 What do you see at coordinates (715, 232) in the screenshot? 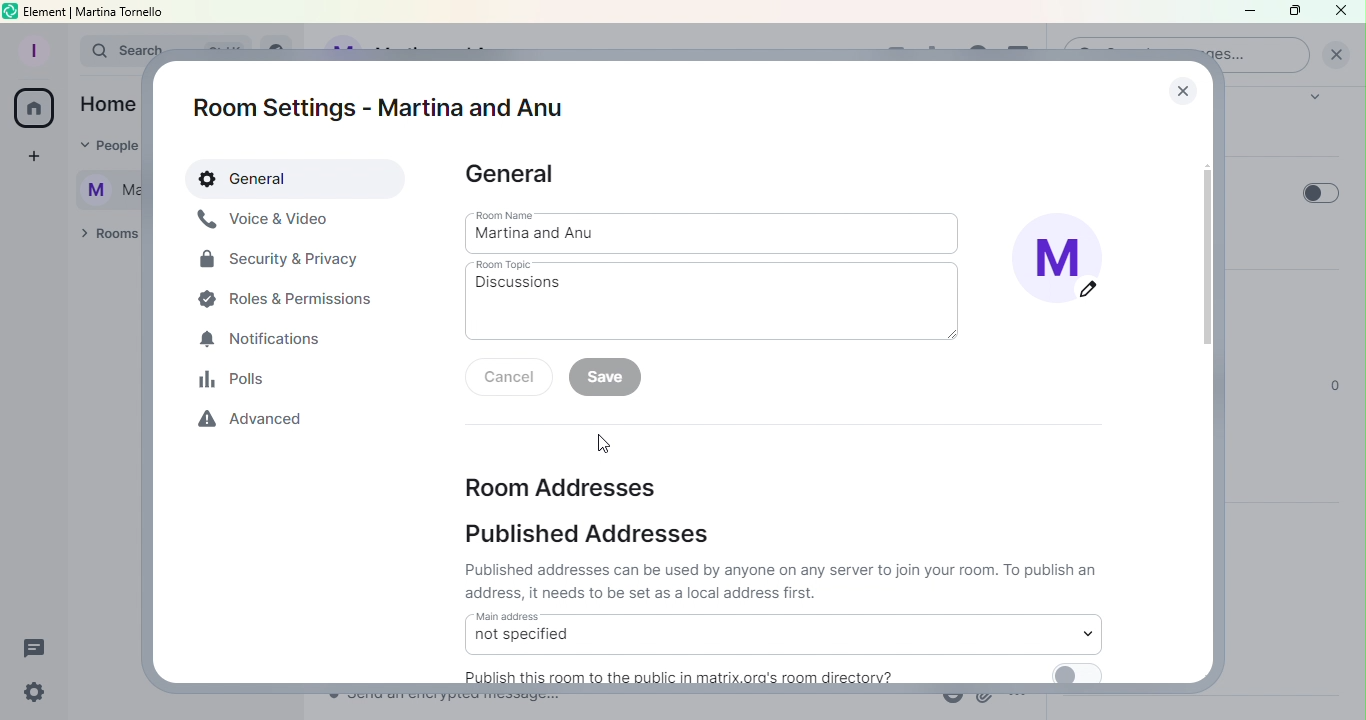
I see `Room name` at bounding box center [715, 232].